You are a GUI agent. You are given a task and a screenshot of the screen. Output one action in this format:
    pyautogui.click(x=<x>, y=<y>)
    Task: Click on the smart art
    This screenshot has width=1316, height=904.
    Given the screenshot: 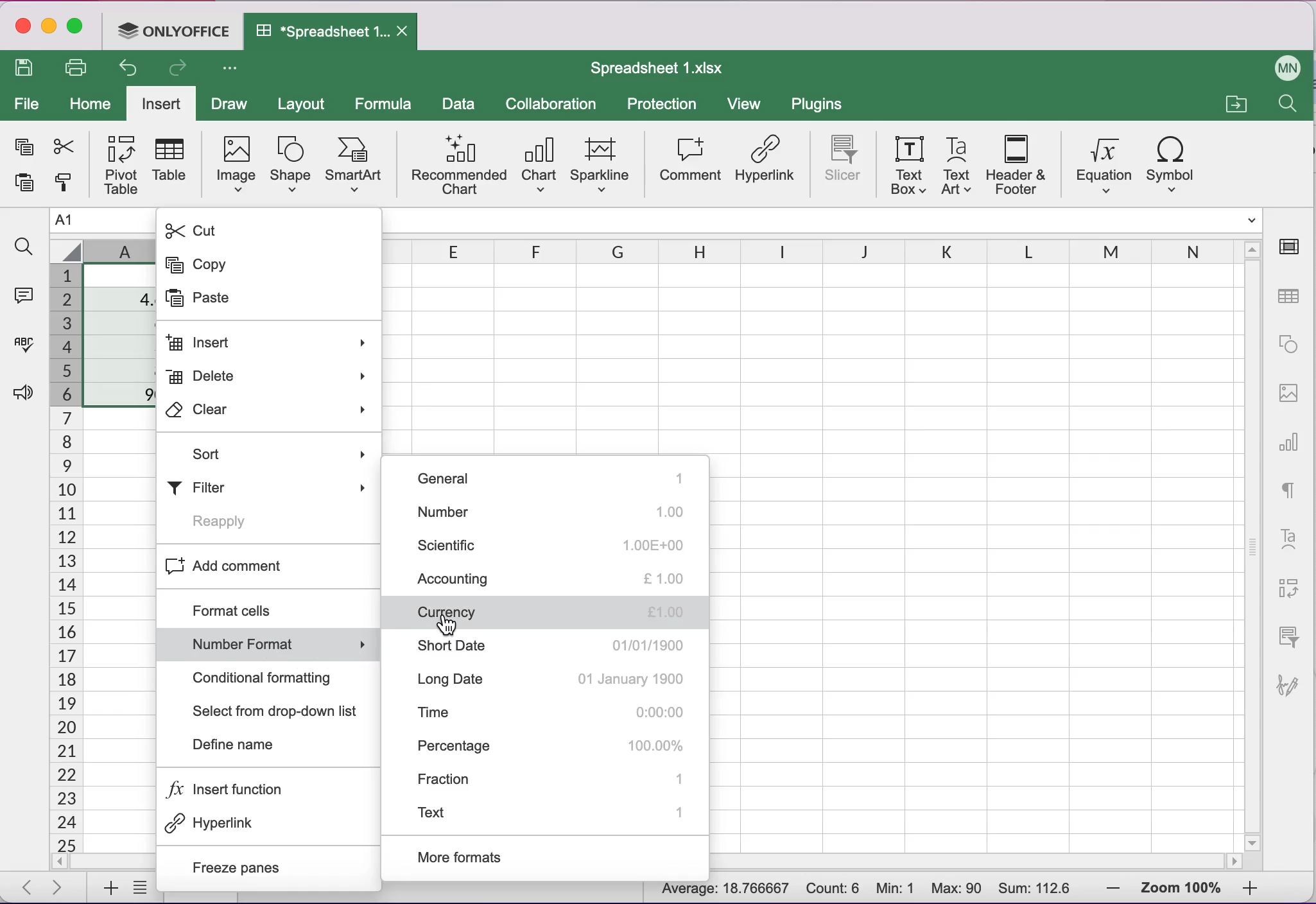 What is the action you would take?
    pyautogui.click(x=356, y=164)
    